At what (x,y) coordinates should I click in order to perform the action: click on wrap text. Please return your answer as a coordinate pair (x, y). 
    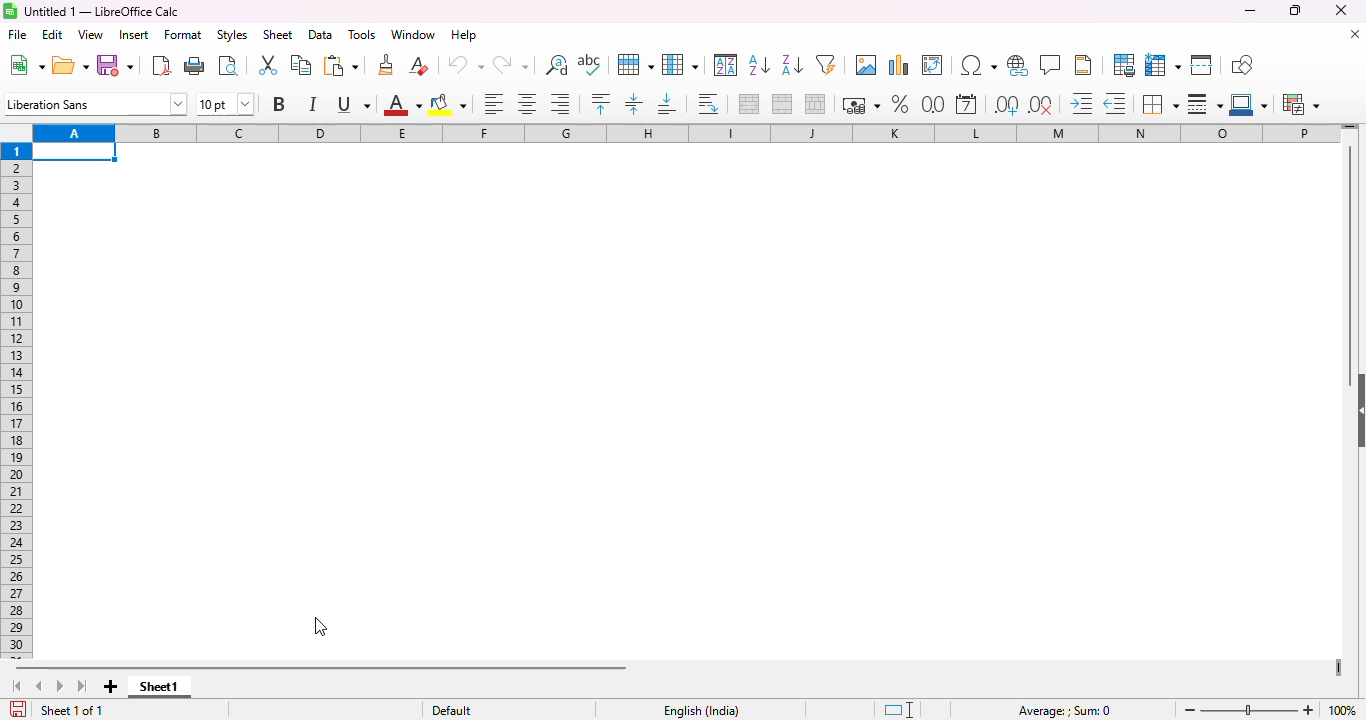
    Looking at the image, I should click on (708, 103).